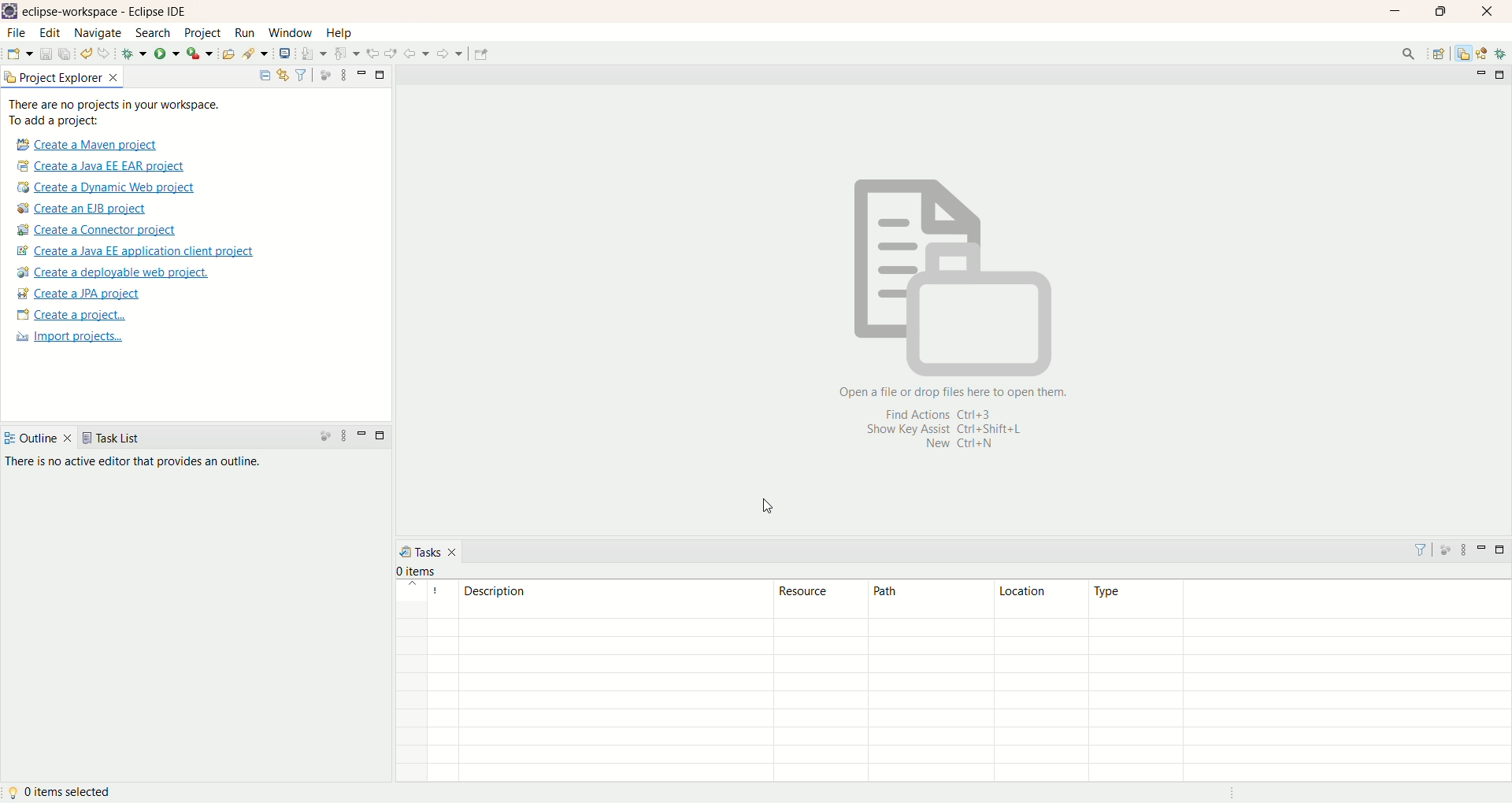  What do you see at coordinates (280, 75) in the screenshot?
I see `link with editor` at bounding box center [280, 75].